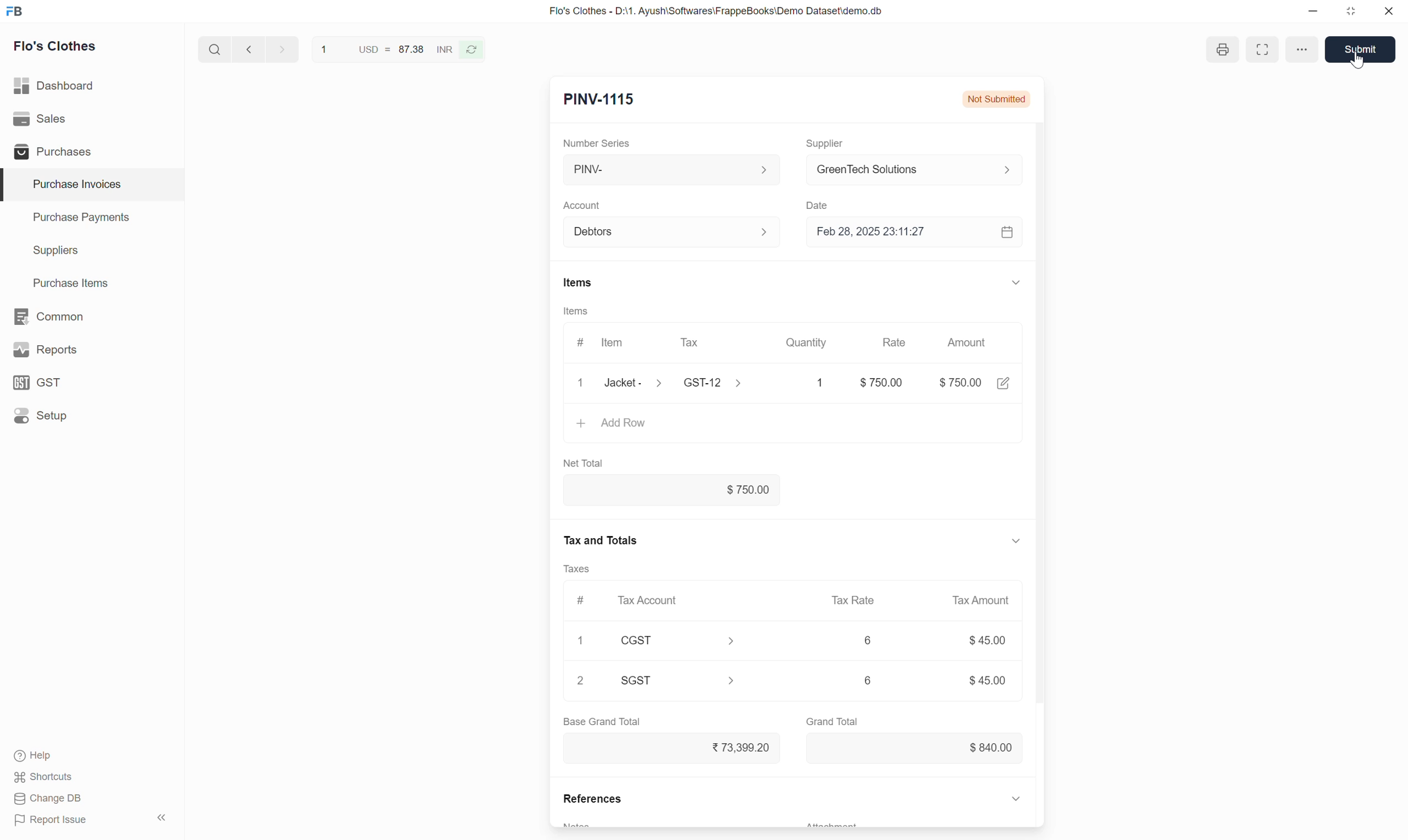 The image size is (1408, 840). What do you see at coordinates (91, 151) in the screenshot?
I see `Purchases` at bounding box center [91, 151].